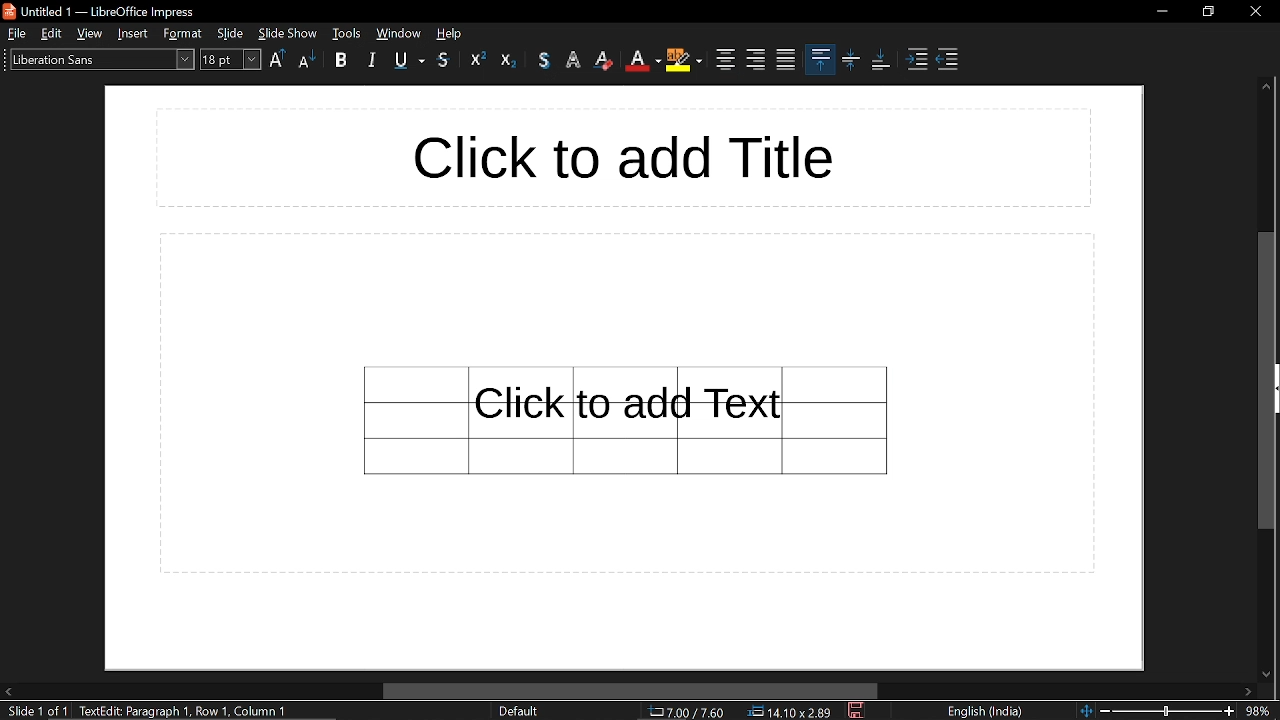  Describe the element at coordinates (946, 61) in the screenshot. I see `decrease indent` at that location.